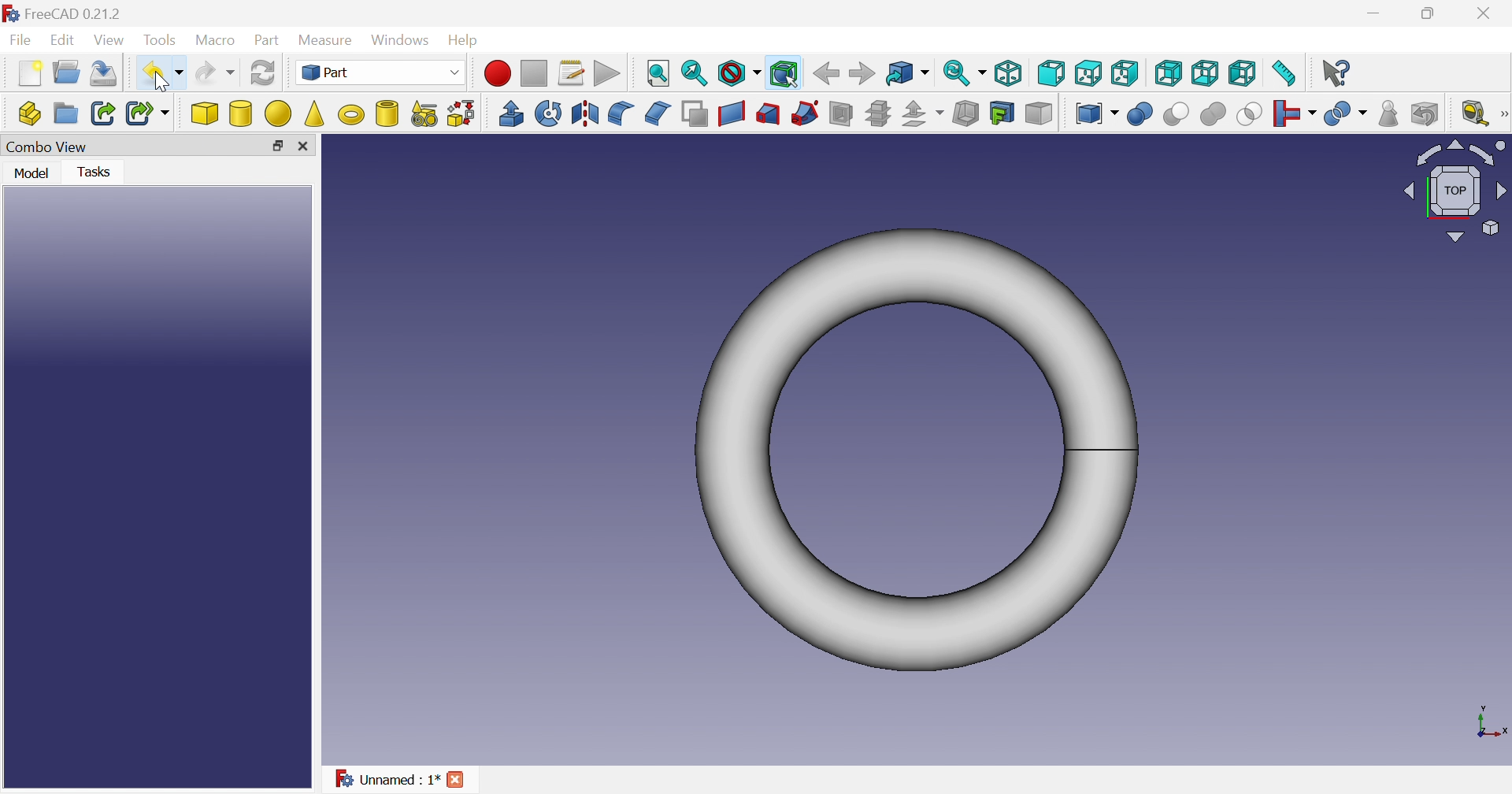 This screenshot has height=794, width=1512. I want to click on Create primitives..., so click(425, 114).